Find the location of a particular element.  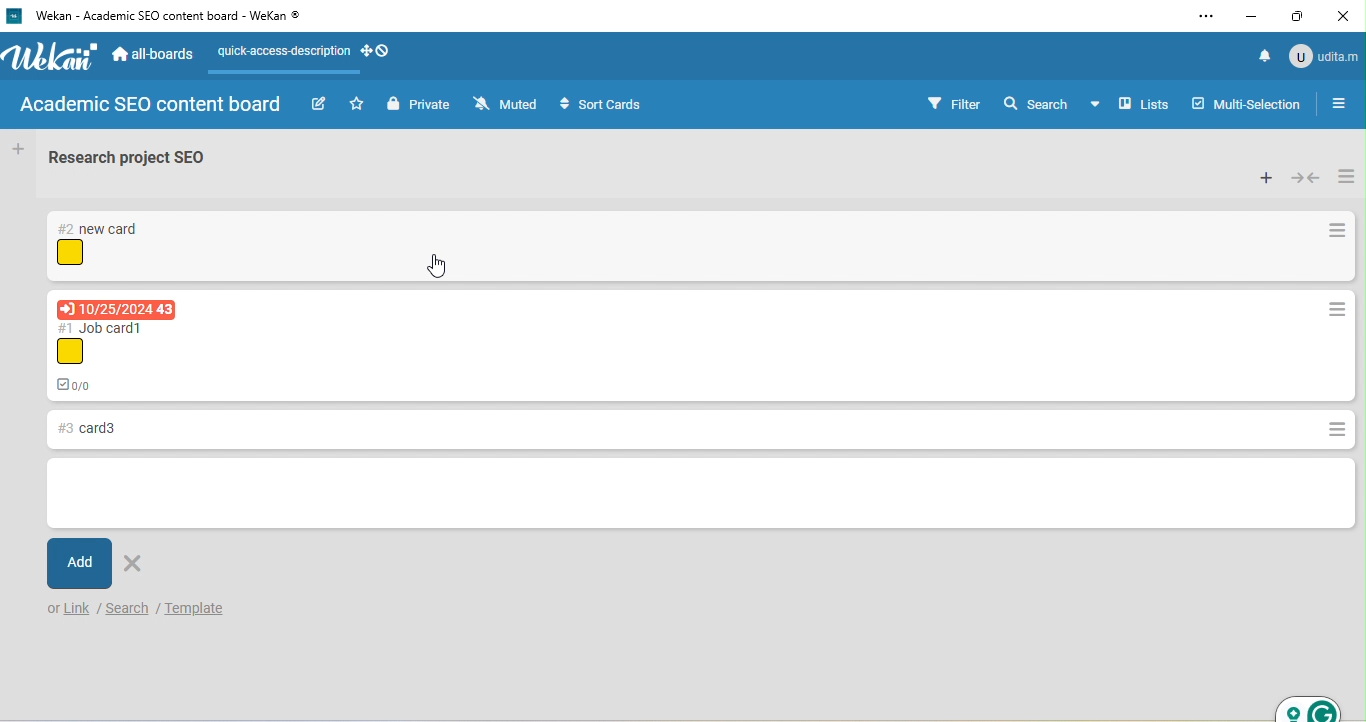

boars name: academic SEO board is located at coordinates (149, 106).